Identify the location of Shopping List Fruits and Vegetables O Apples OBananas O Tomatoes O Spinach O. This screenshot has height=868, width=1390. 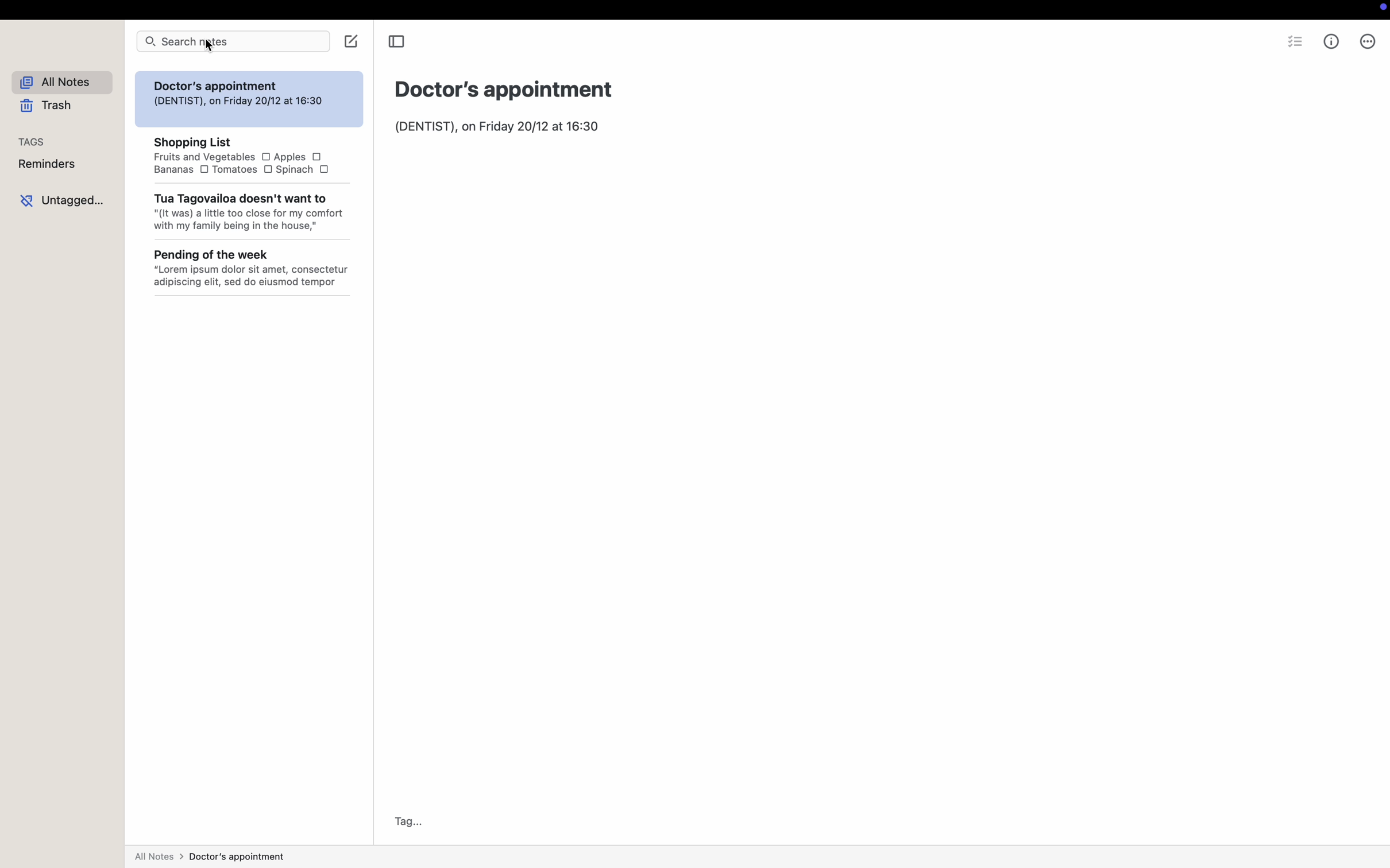
(240, 156).